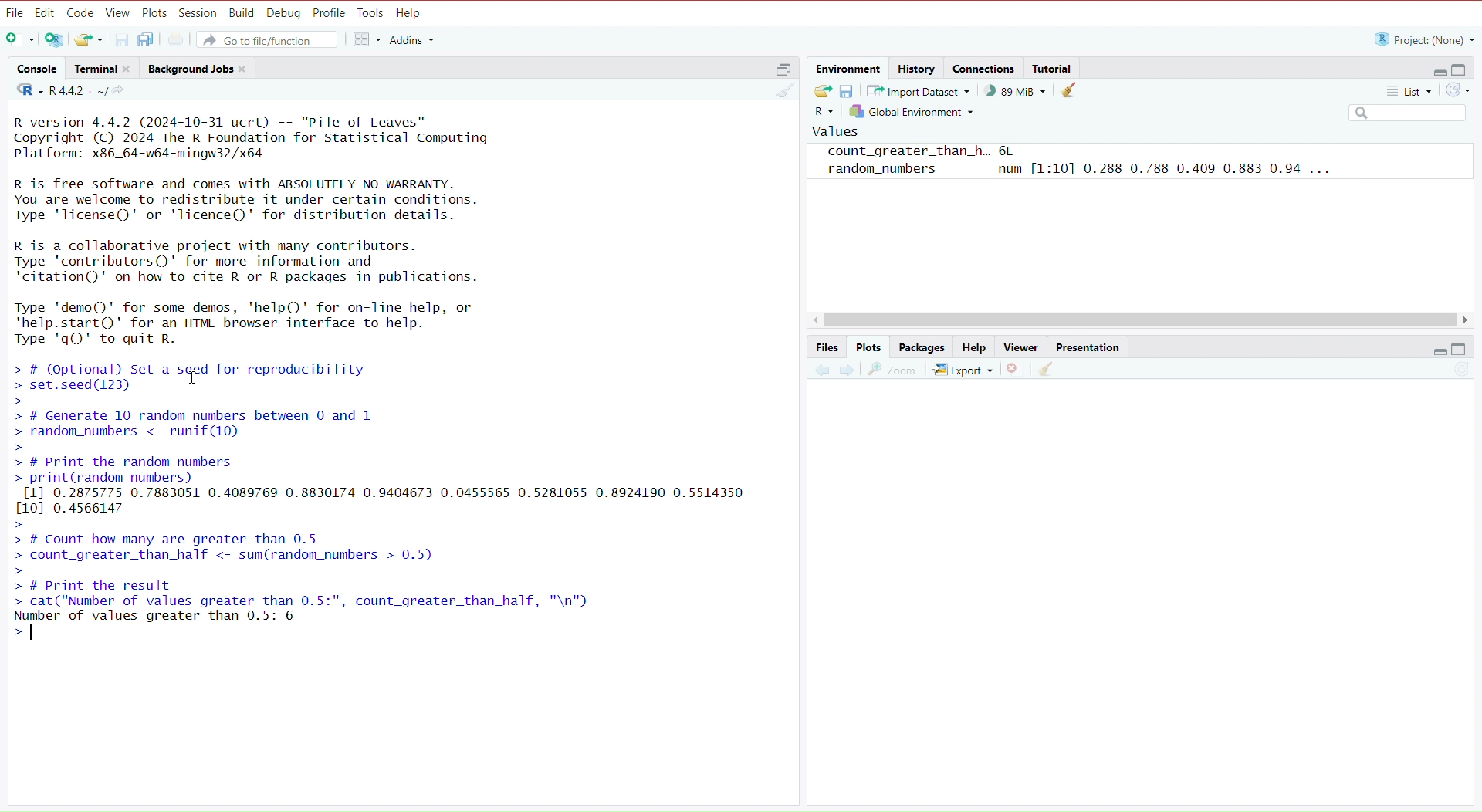 This screenshot has width=1482, height=812. I want to click on View, so click(118, 12).